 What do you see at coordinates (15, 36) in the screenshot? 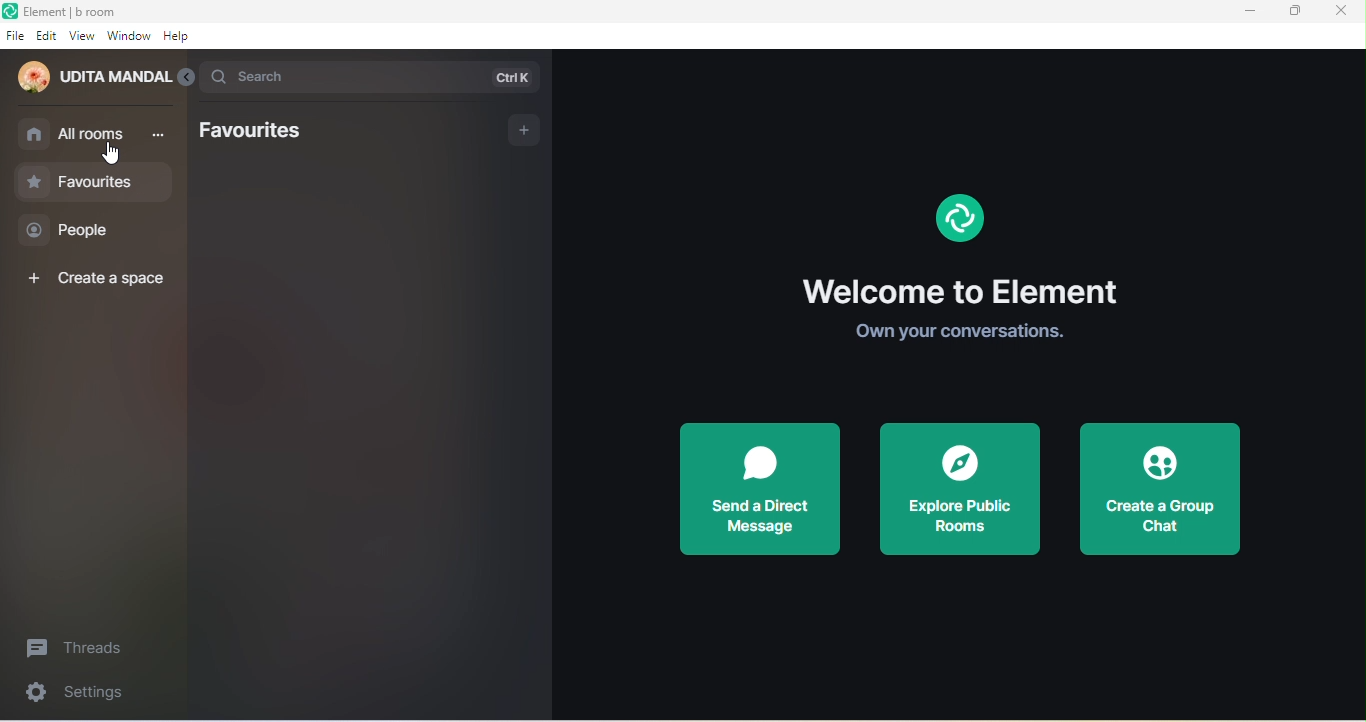
I see `file` at bounding box center [15, 36].